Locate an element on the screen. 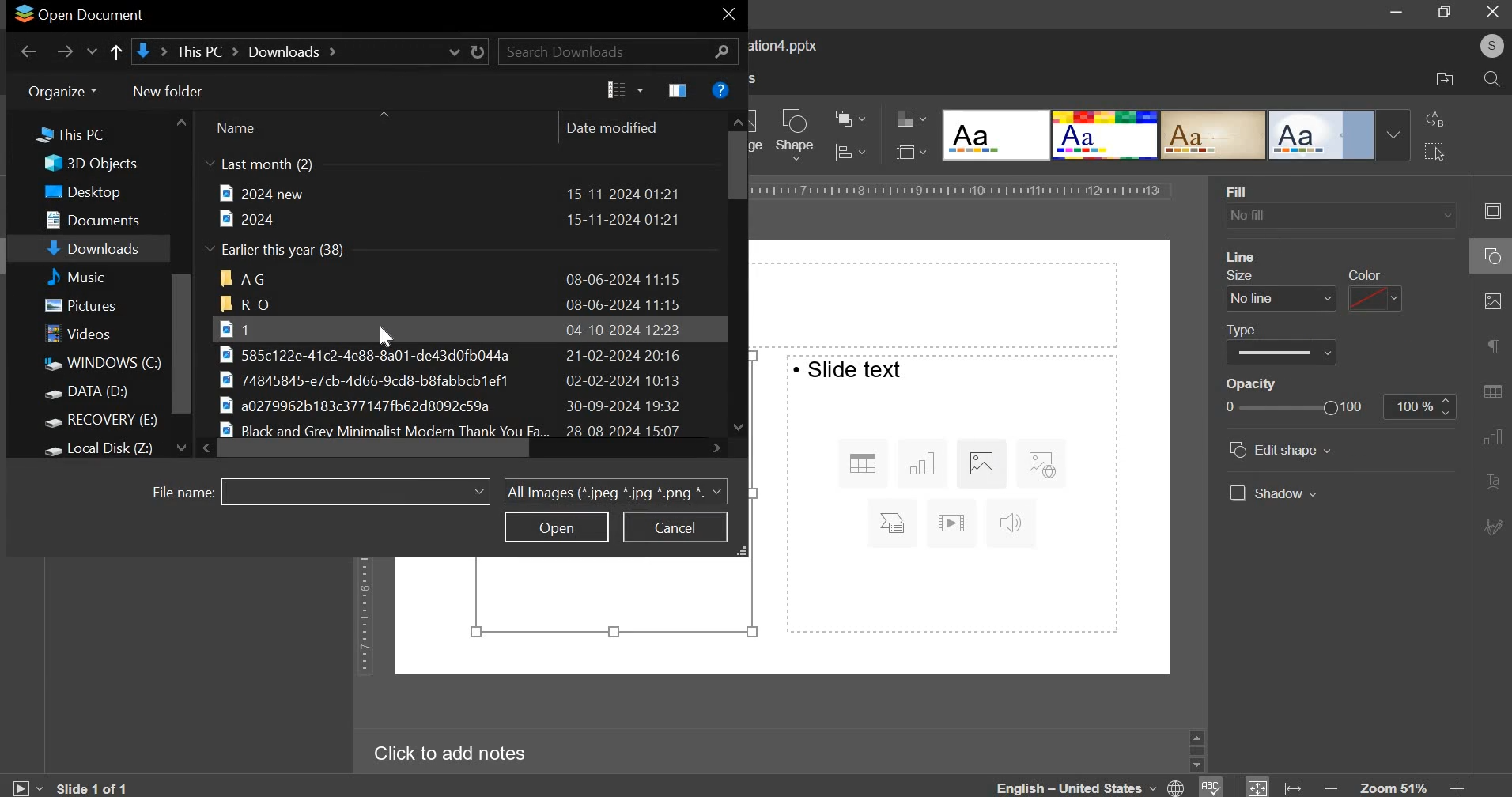  user profile is located at coordinates (1491, 46).